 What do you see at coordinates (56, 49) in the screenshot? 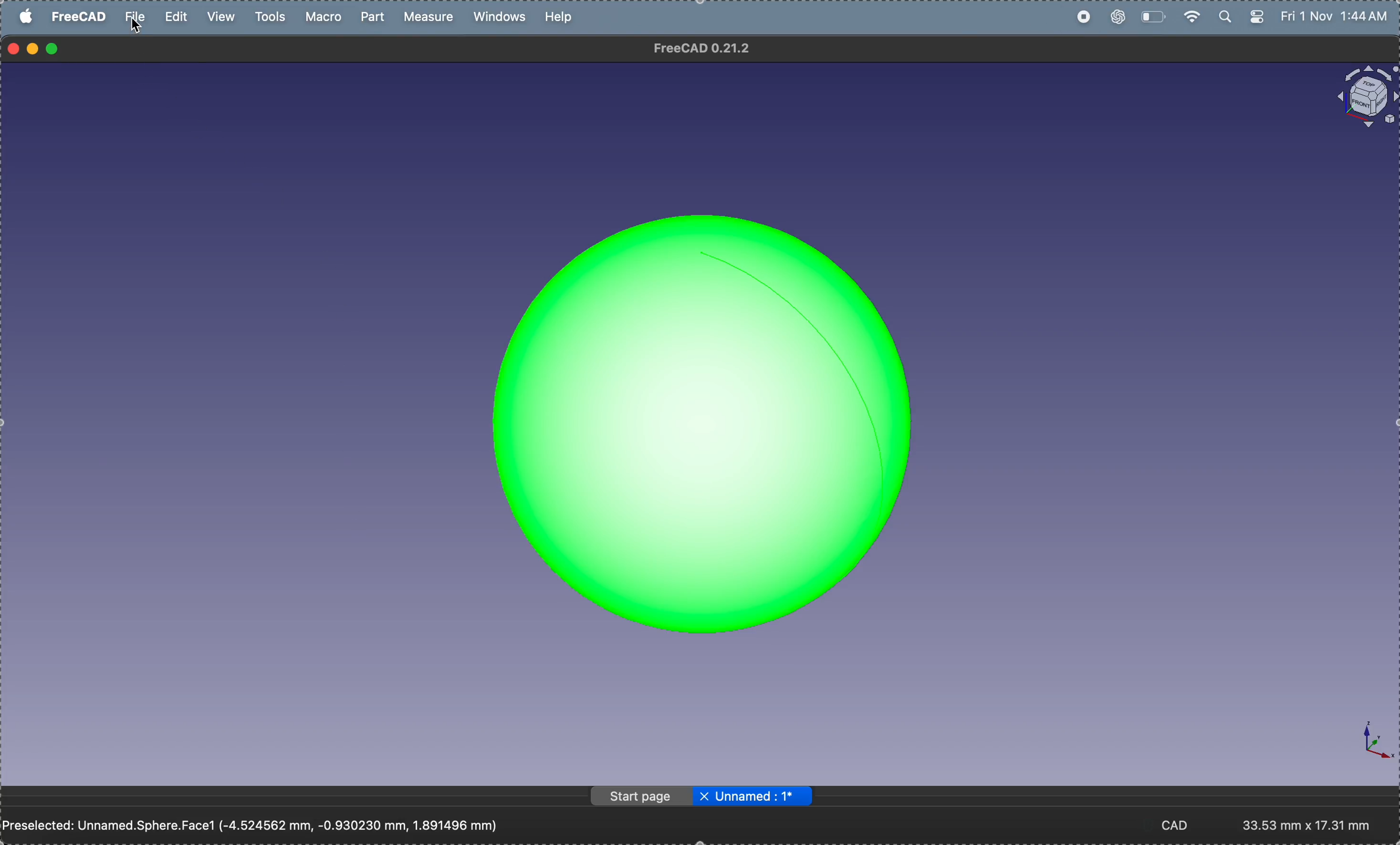
I see `maximize` at bounding box center [56, 49].